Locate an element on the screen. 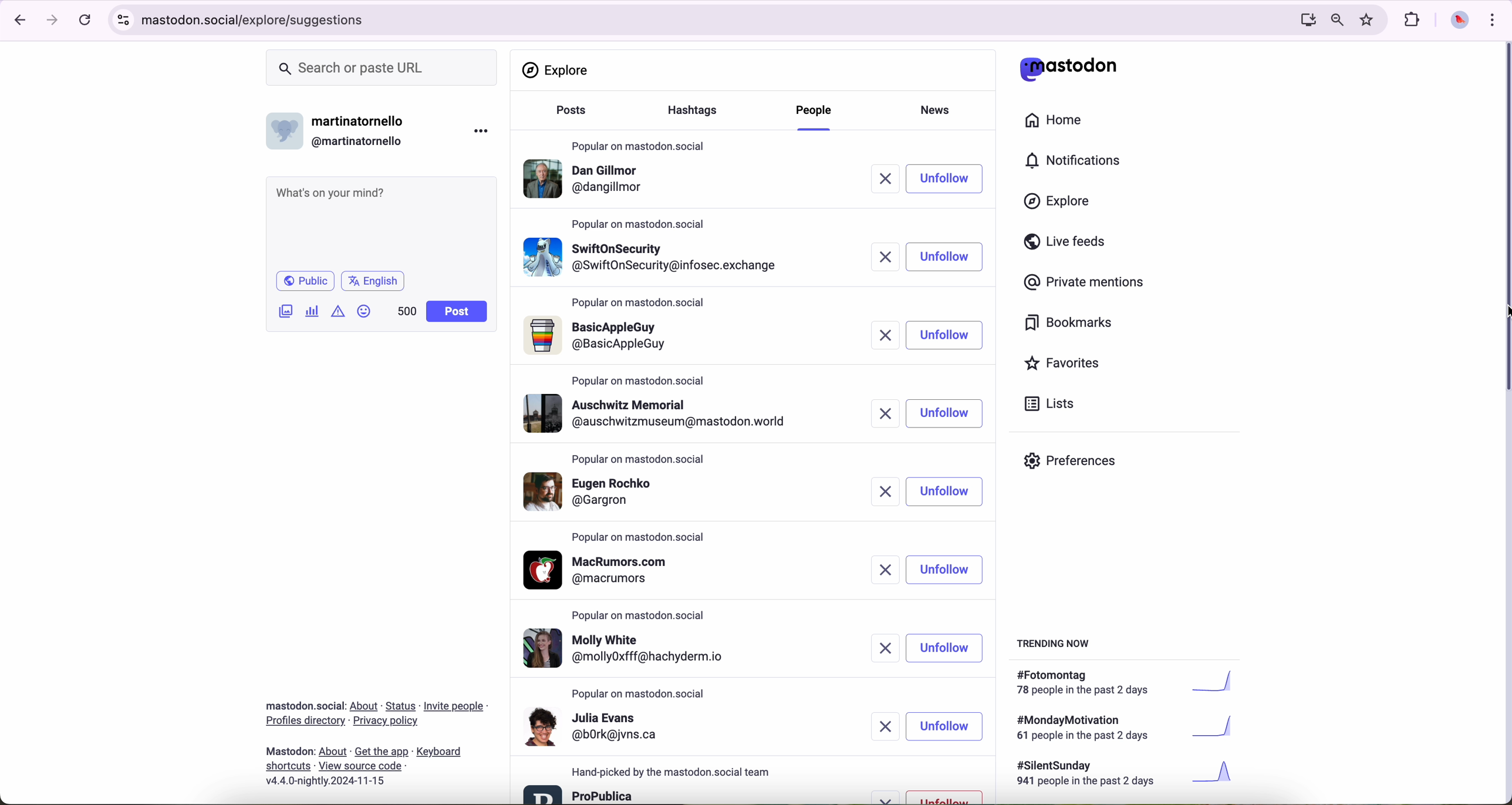 Image resolution: width=1512 pixels, height=805 pixels. search or paste URL is located at coordinates (382, 68).